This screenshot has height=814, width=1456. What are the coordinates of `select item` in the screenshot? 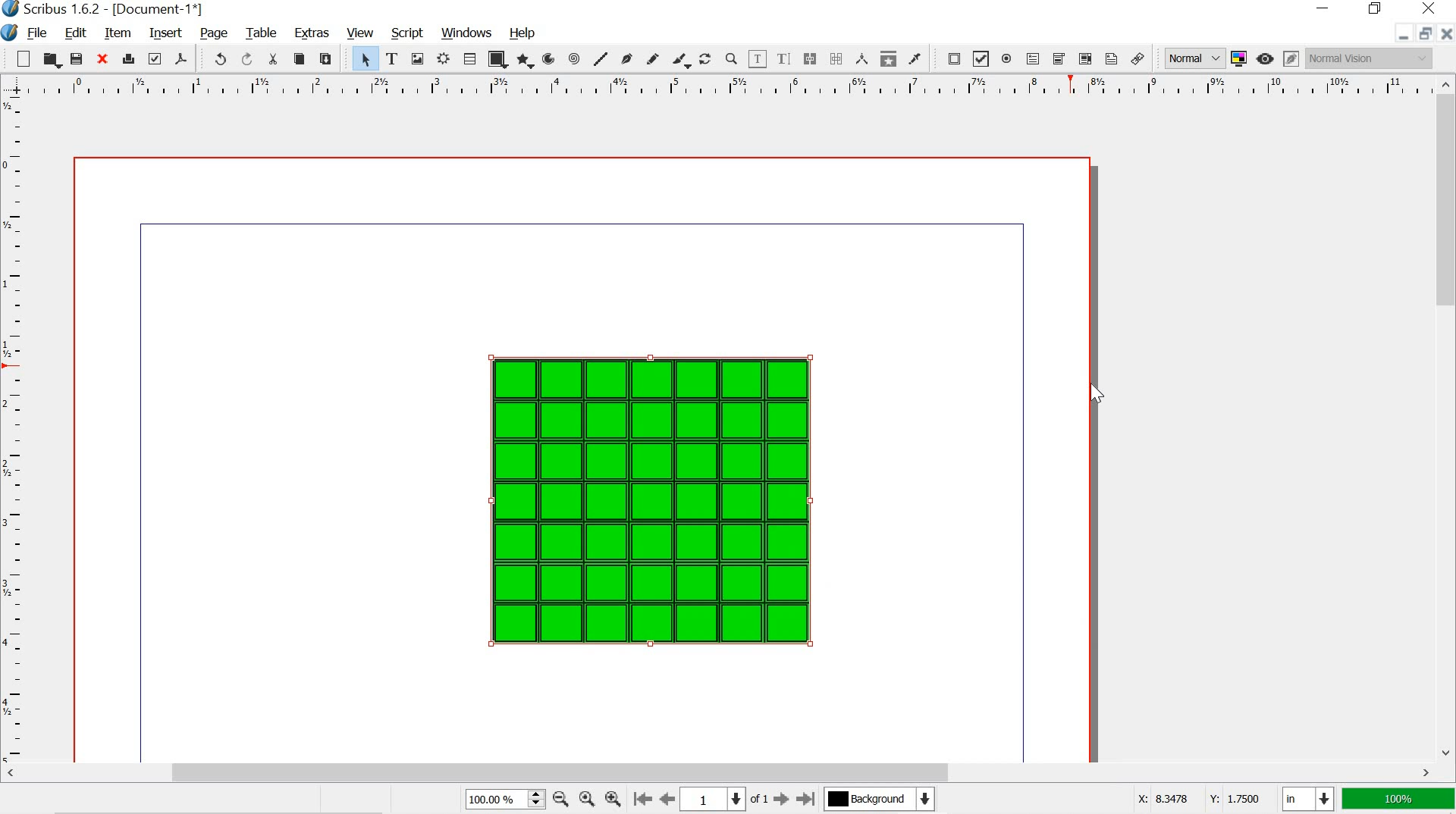 It's located at (365, 60).